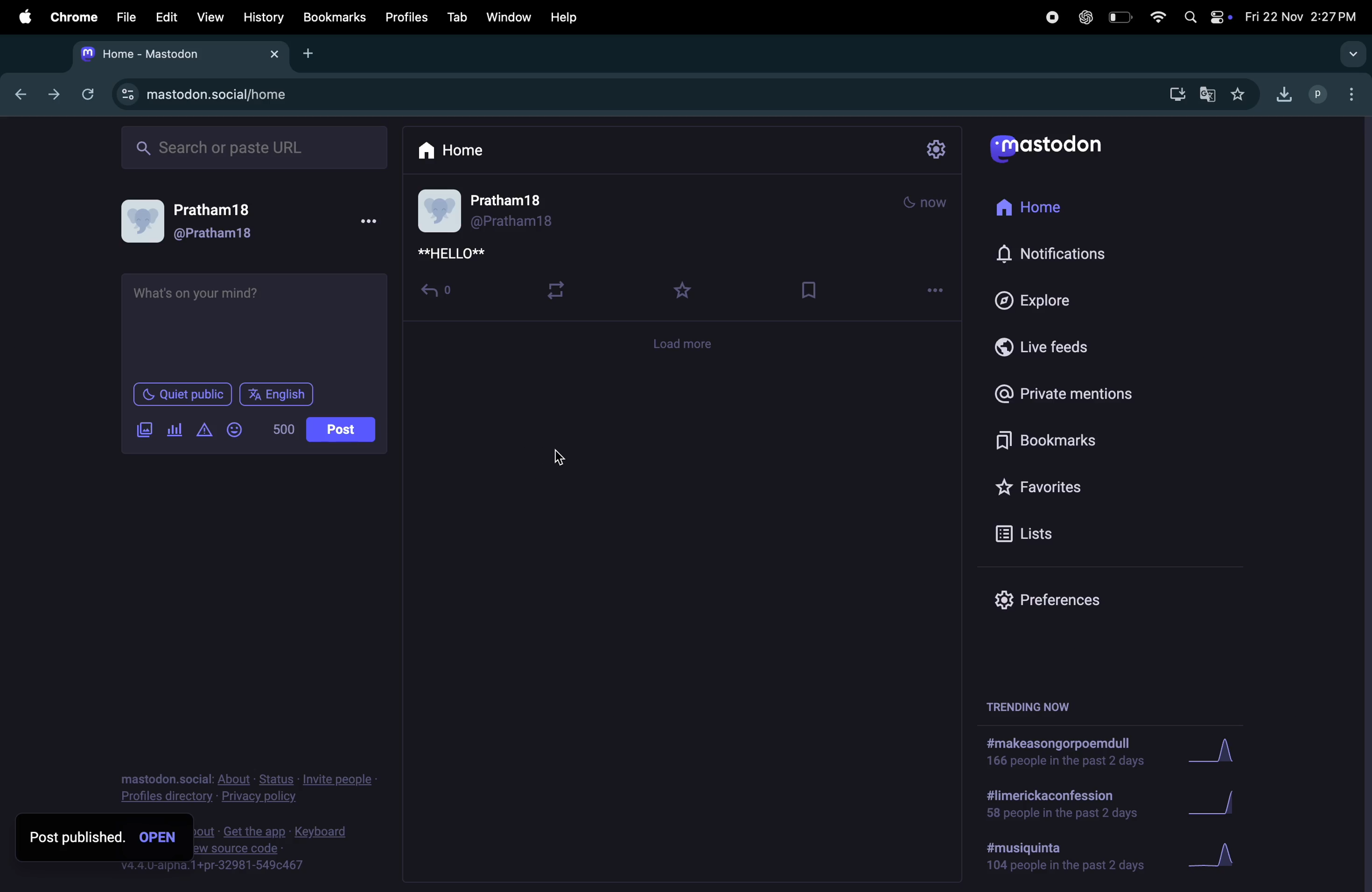 The width and height of the screenshot is (1372, 892). Describe the element at coordinates (1071, 393) in the screenshot. I see `private mentions` at that location.